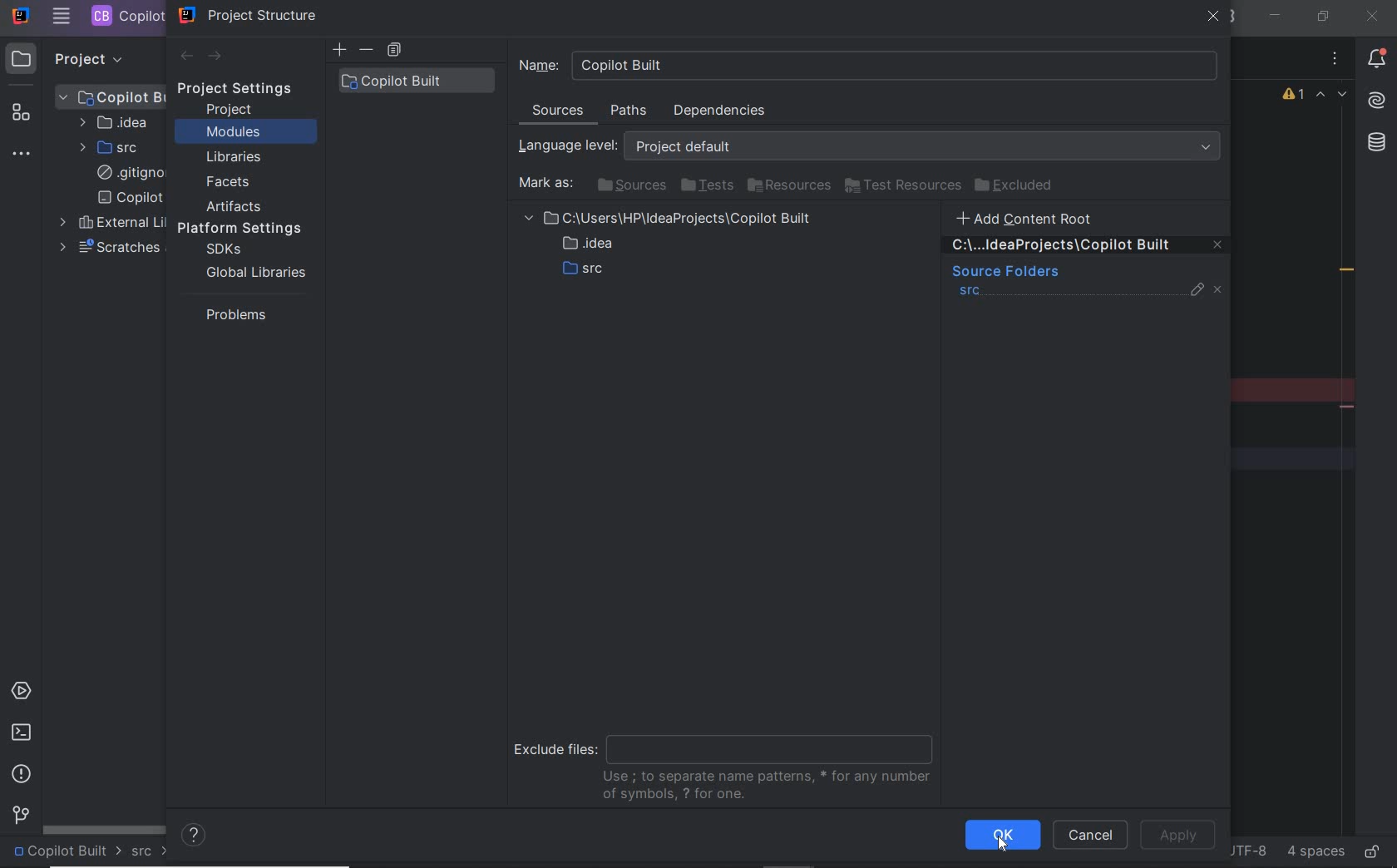  I want to click on Mark as, so click(544, 184).